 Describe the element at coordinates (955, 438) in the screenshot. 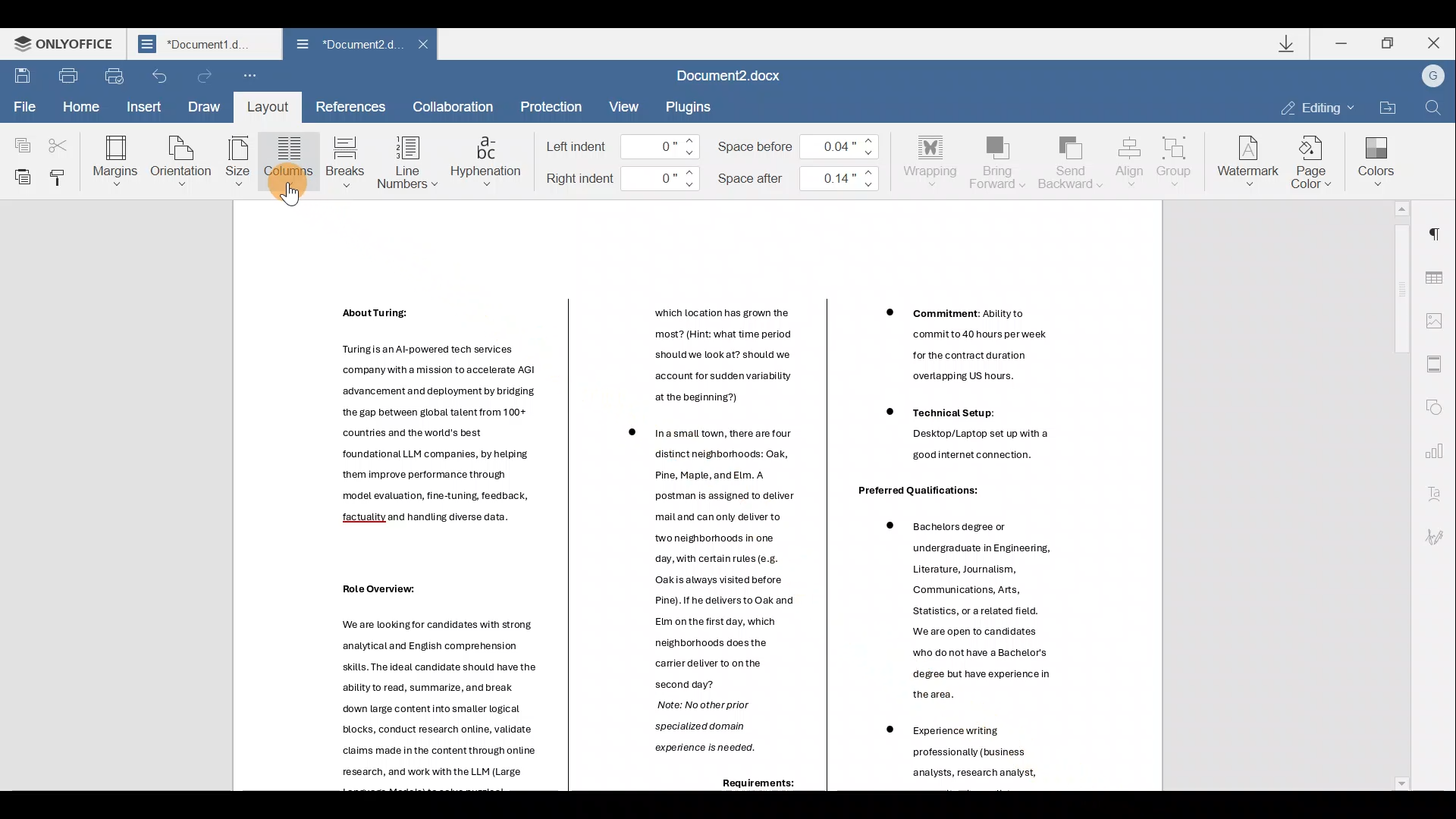

I see `` at that location.